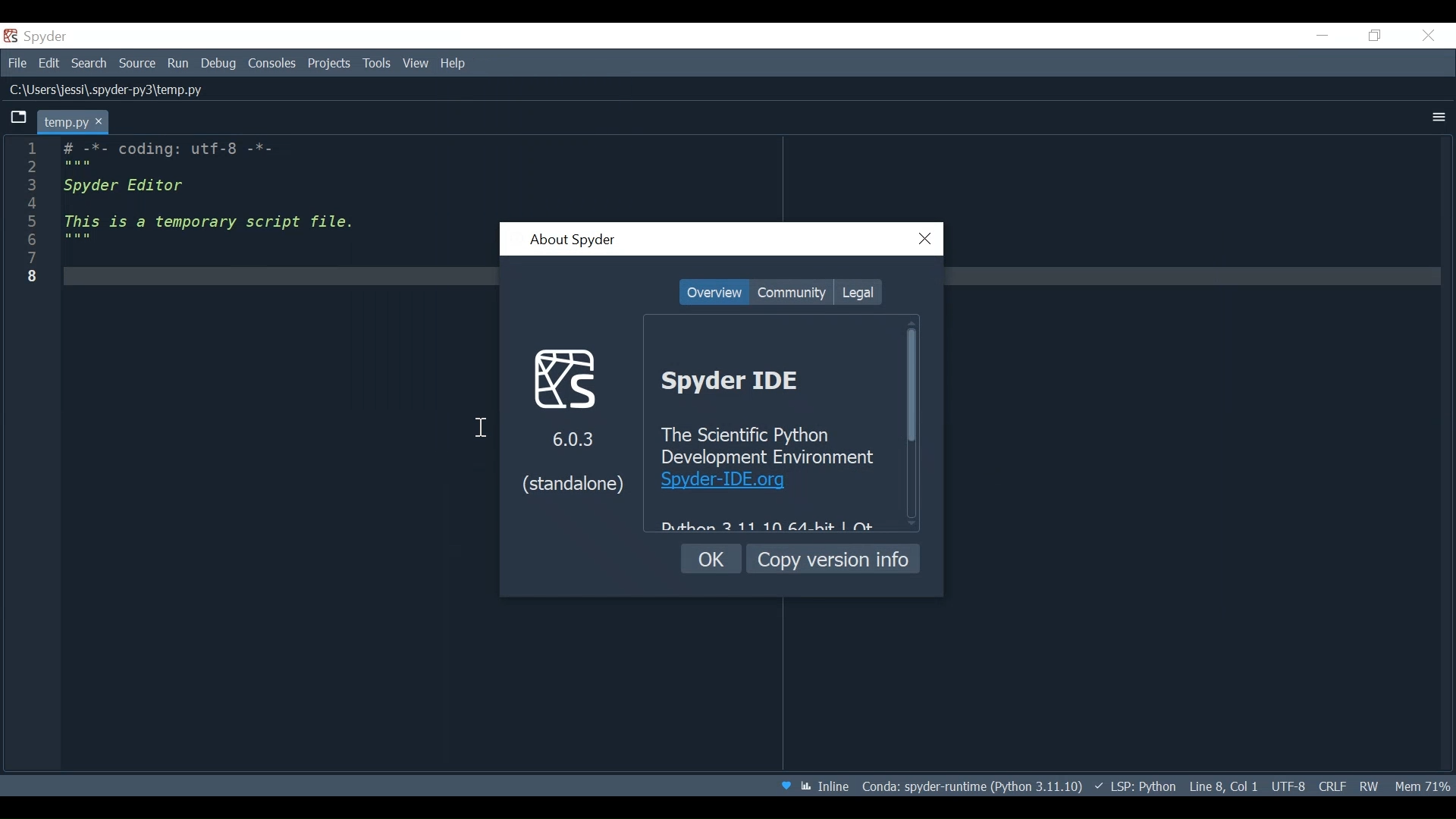 Image resolution: width=1456 pixels, height=819 pixels. Describe the element at coordinates (915, 525) in the screenshot. I see `Scroll down` at that location.